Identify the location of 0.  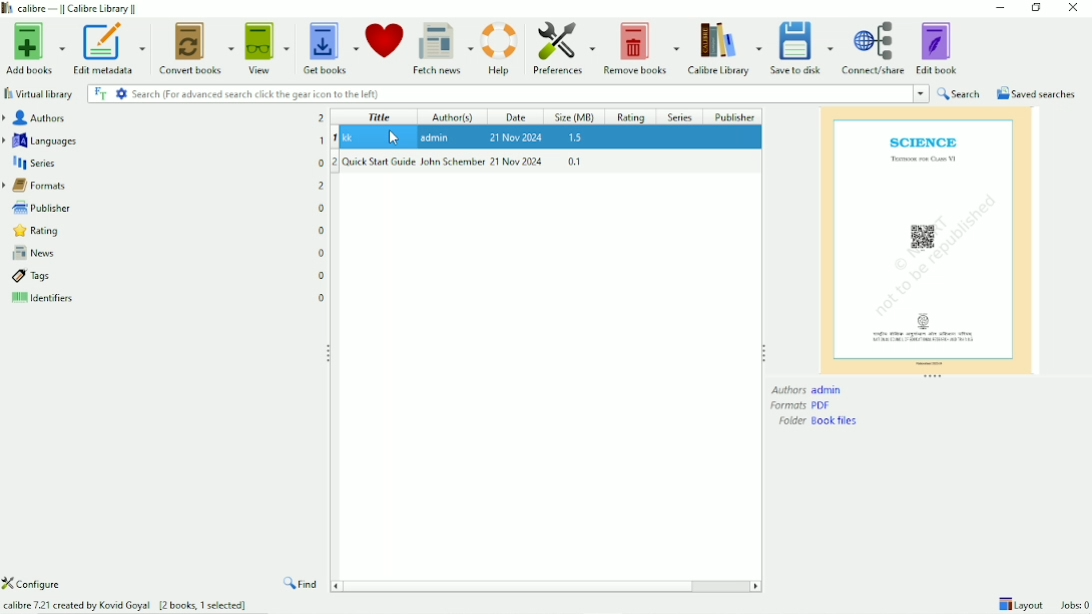
(323, 276).